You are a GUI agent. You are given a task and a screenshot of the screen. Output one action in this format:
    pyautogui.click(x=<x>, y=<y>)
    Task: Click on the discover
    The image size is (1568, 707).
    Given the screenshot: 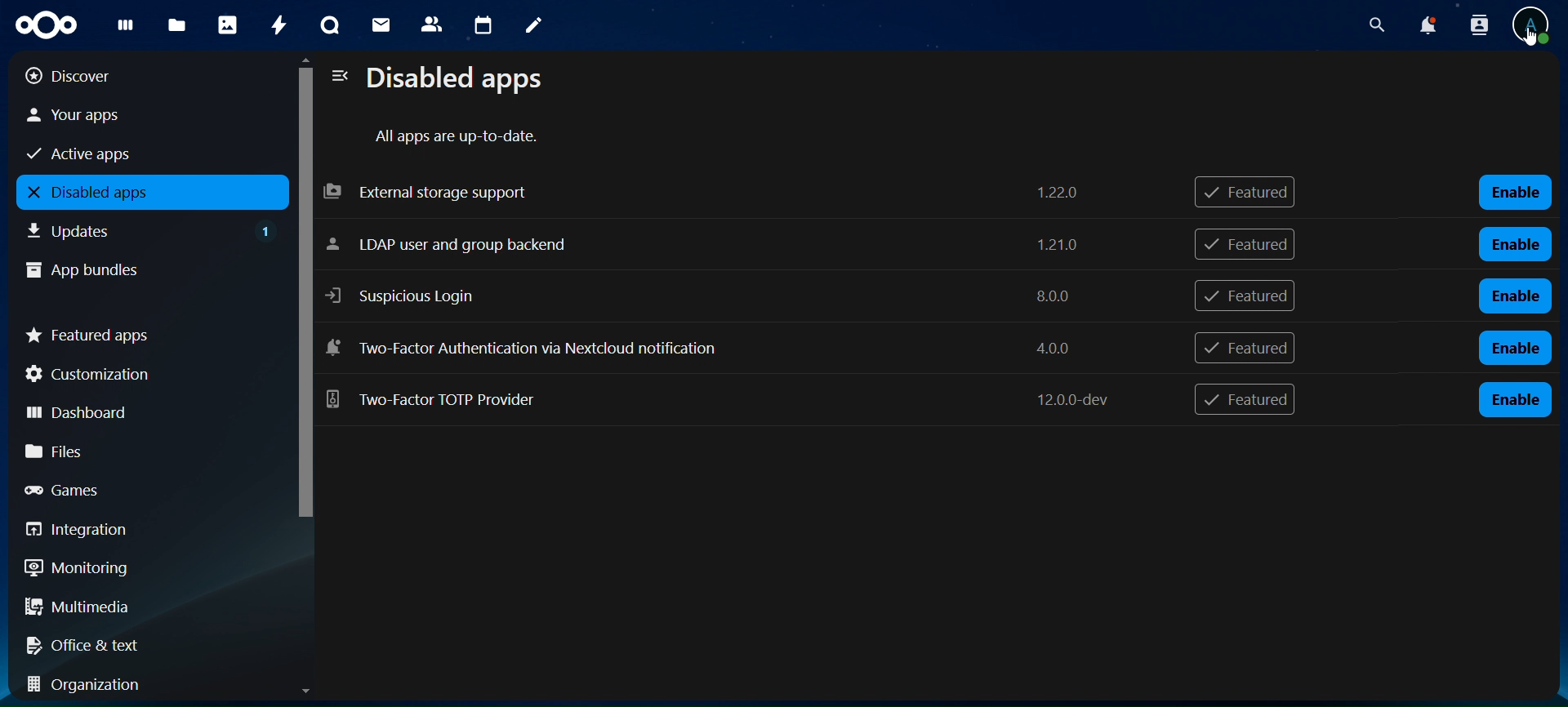 What is the action you would take?
    pyautogui.click(x=131, y=75)
    